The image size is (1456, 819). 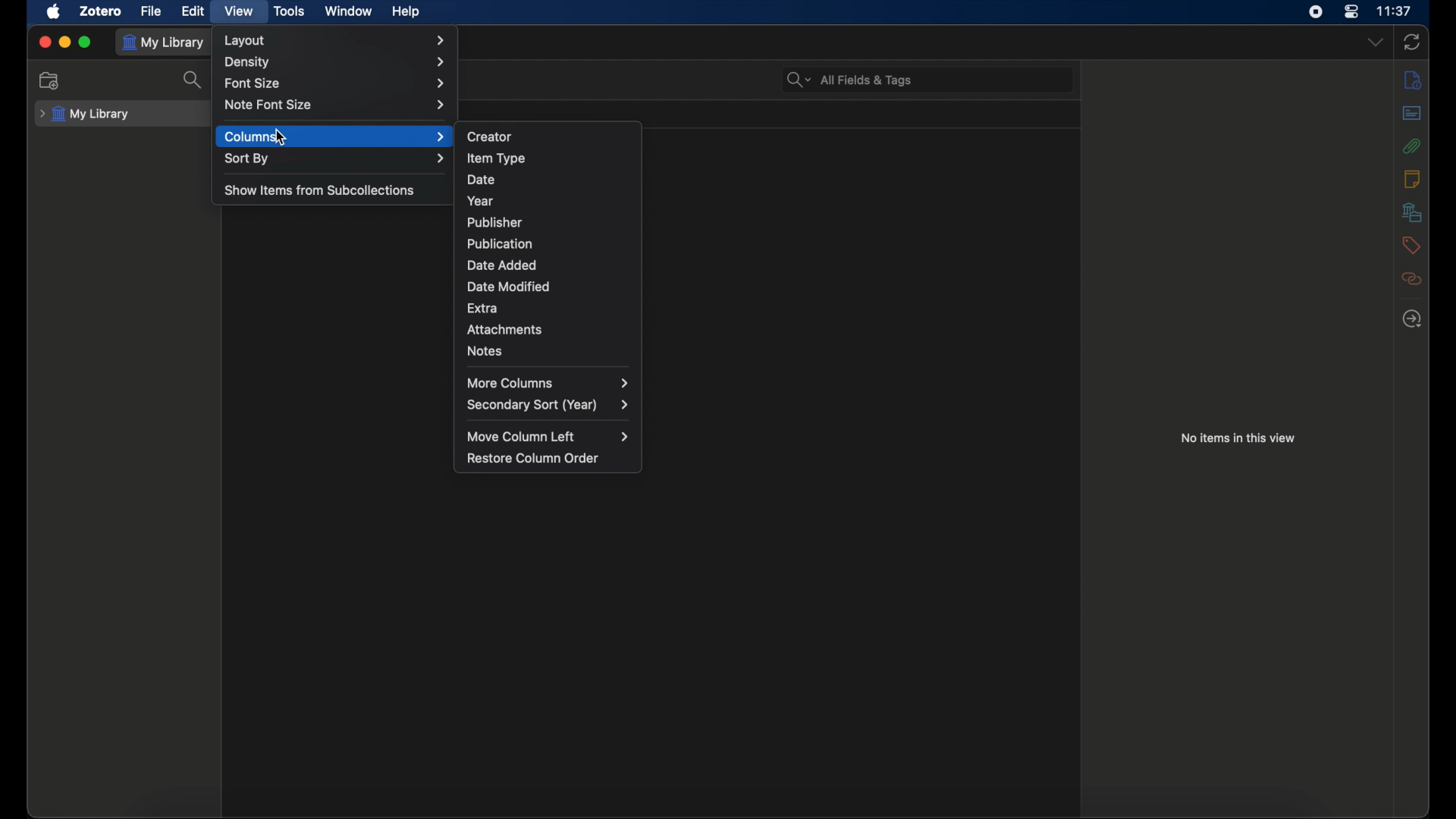 I want to click on new collection, so click(x=52, y=80).